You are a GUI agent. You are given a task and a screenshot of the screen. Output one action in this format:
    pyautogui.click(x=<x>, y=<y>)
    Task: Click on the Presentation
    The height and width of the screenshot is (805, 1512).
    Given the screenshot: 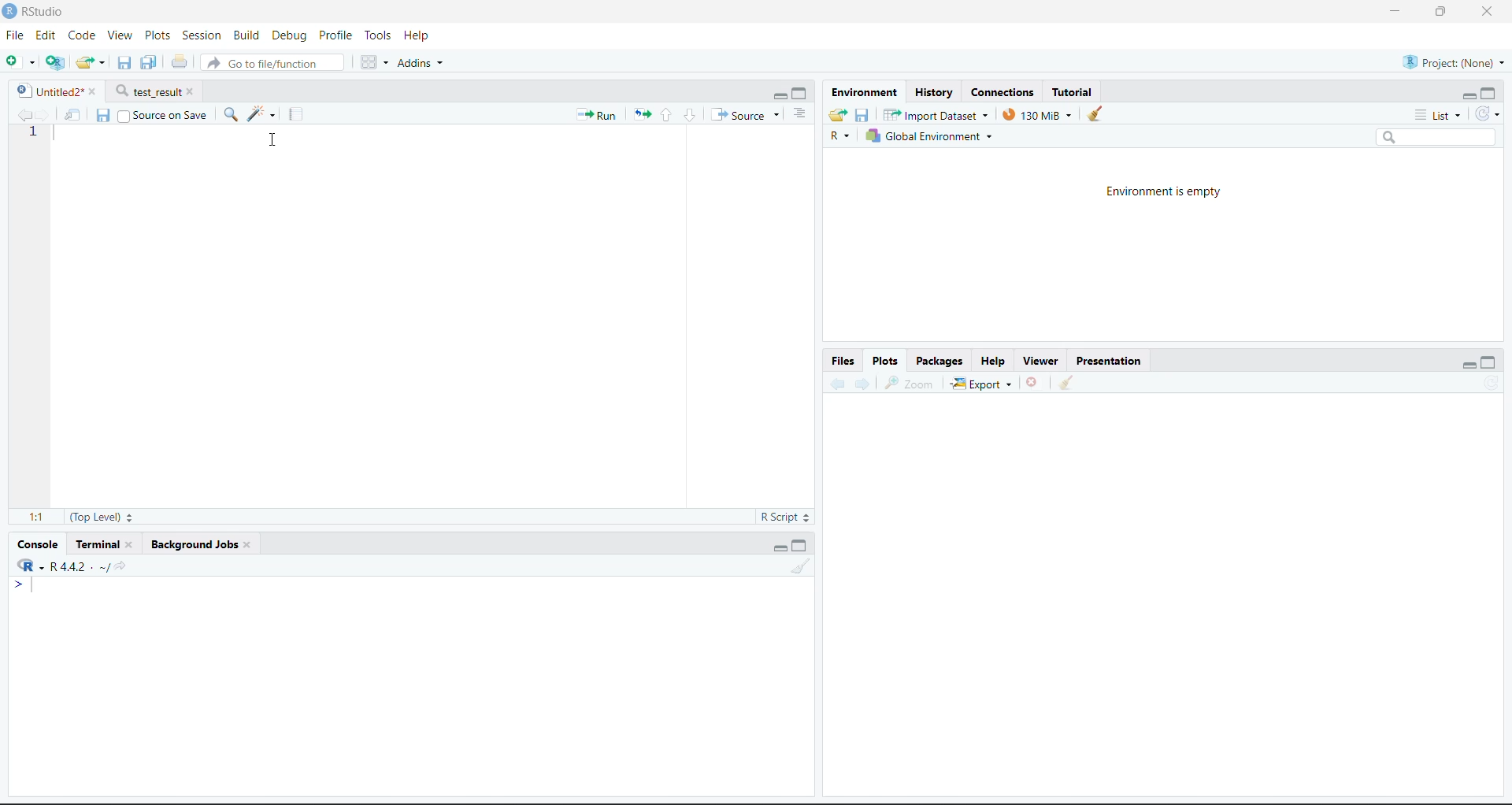 What is the action you would take?
    pyautogui.click(x=1109, y=358)
    